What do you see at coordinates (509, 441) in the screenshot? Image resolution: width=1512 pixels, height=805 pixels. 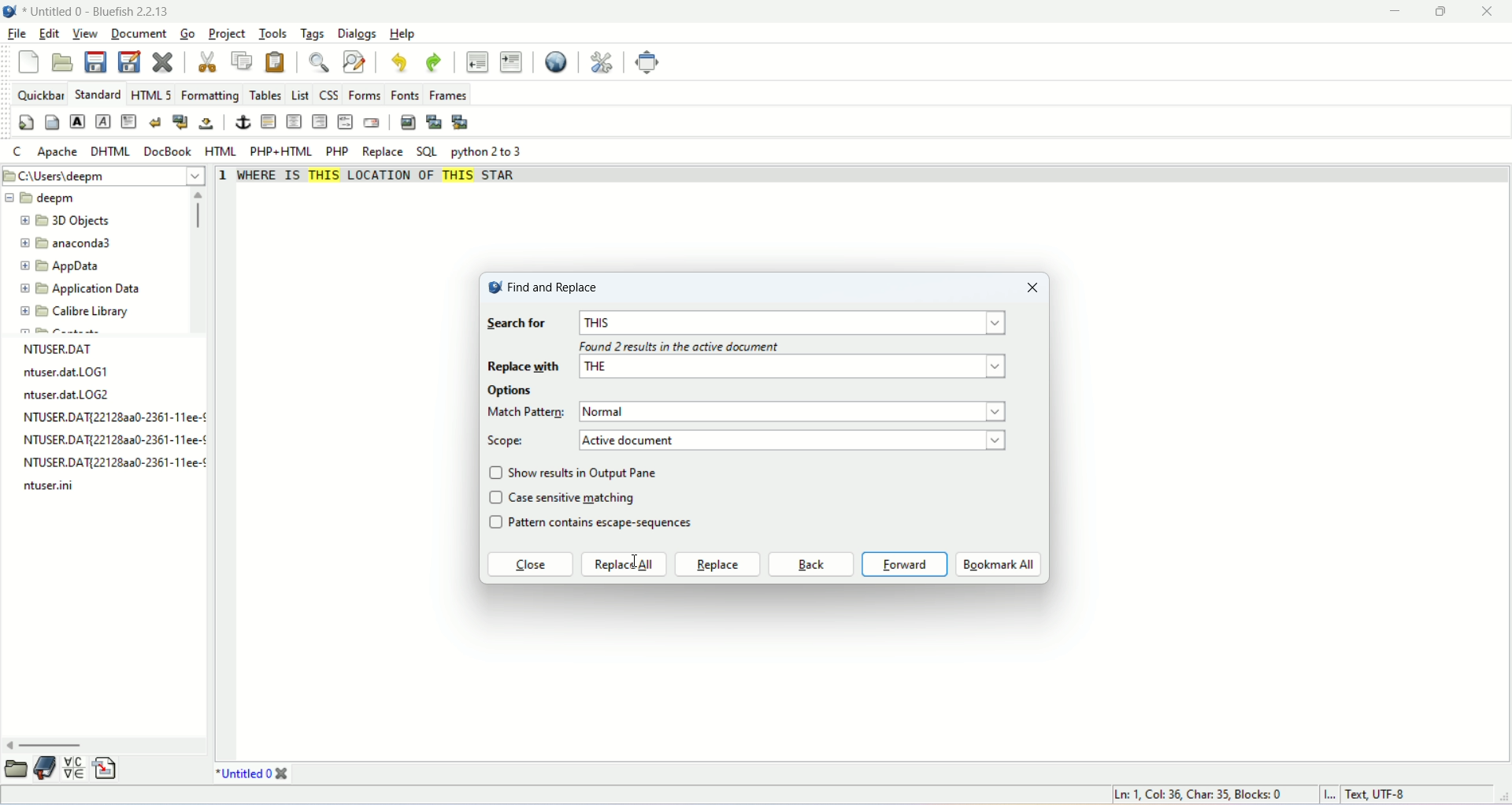 I see `scope` at bounding box center [509, 441].